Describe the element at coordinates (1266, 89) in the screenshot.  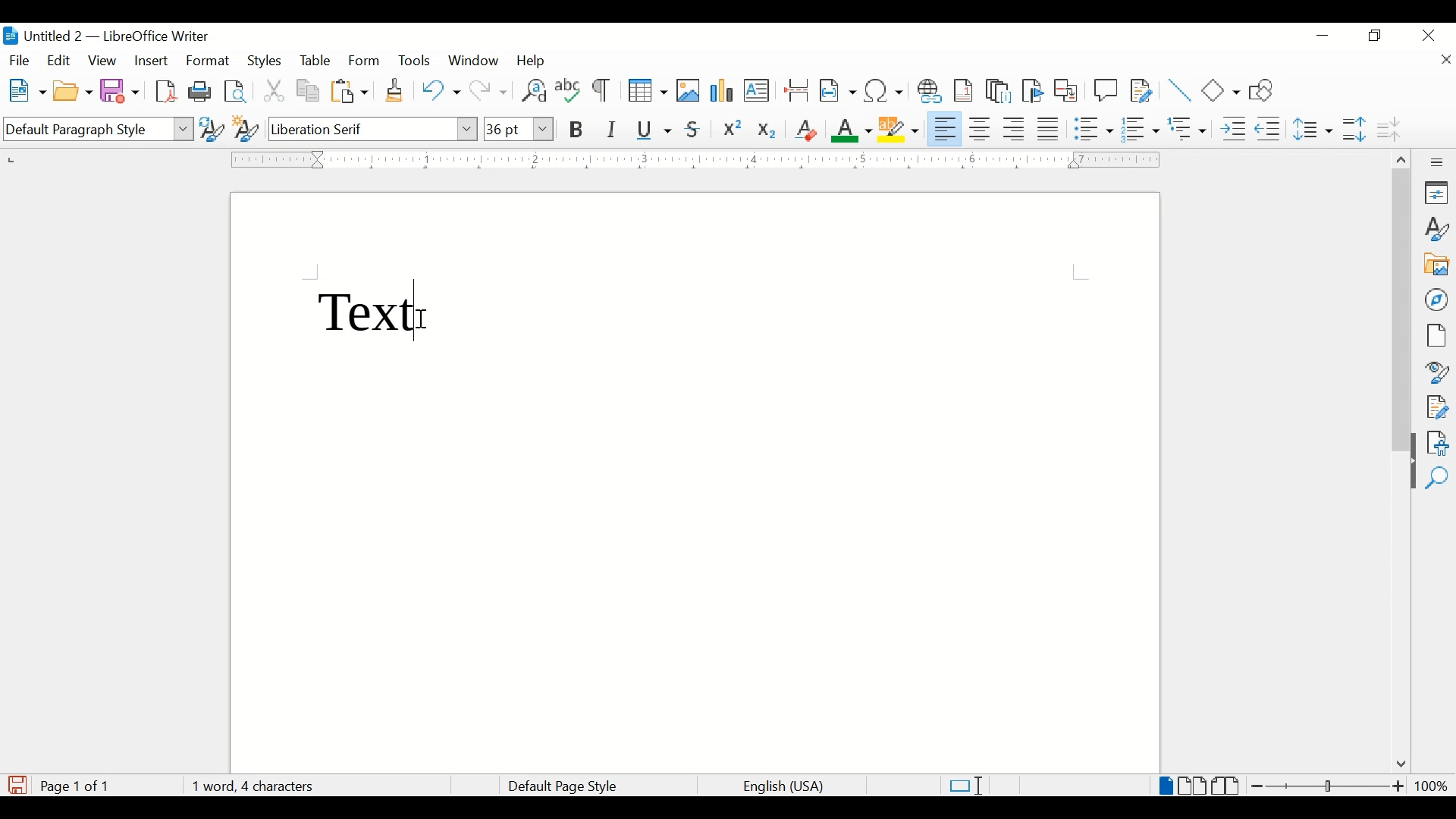
I see `show draw functions` at that location.